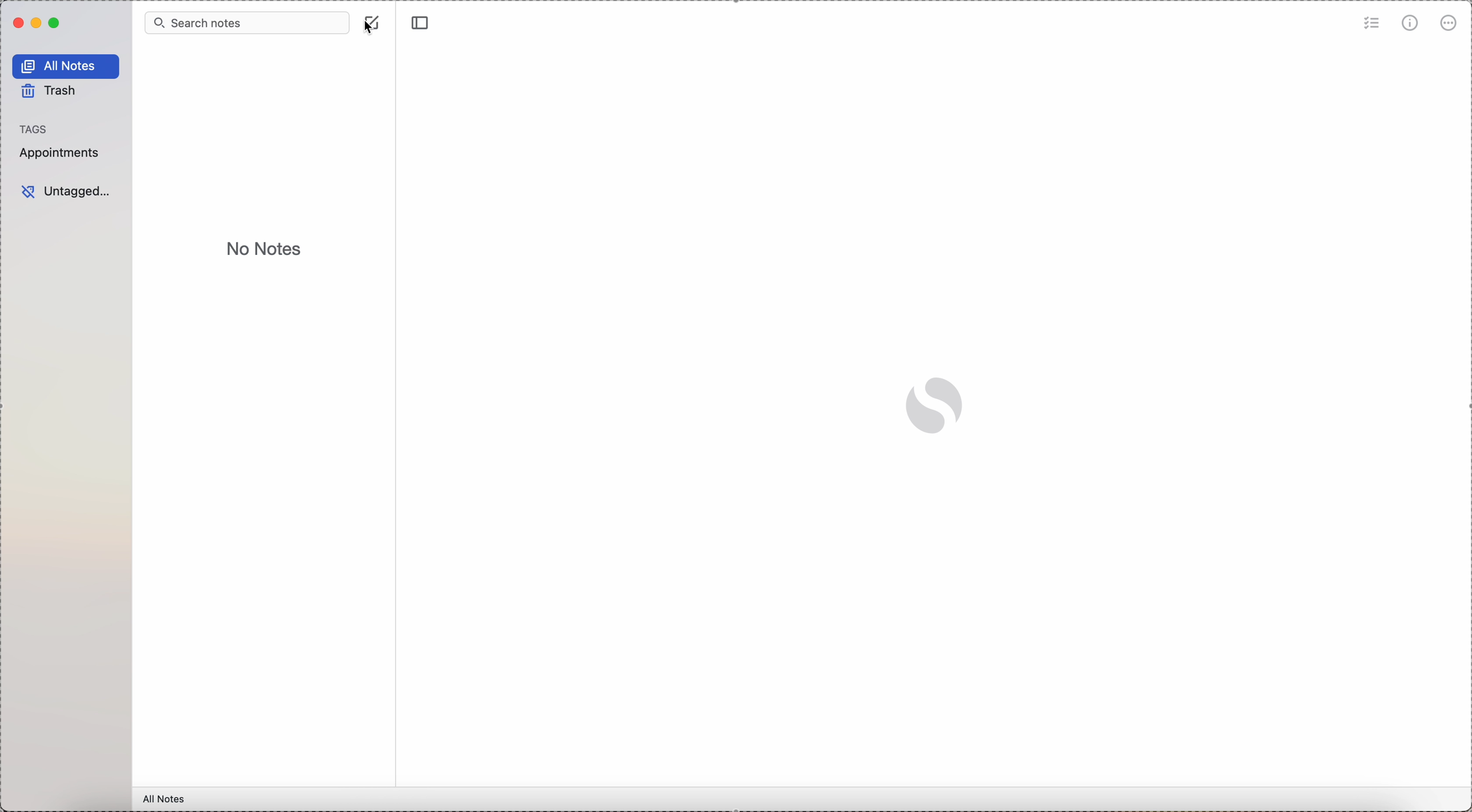  What do you see at coordinates (34, 129) in the screenshot?
I see `tags` at bounding box center [34, 129].